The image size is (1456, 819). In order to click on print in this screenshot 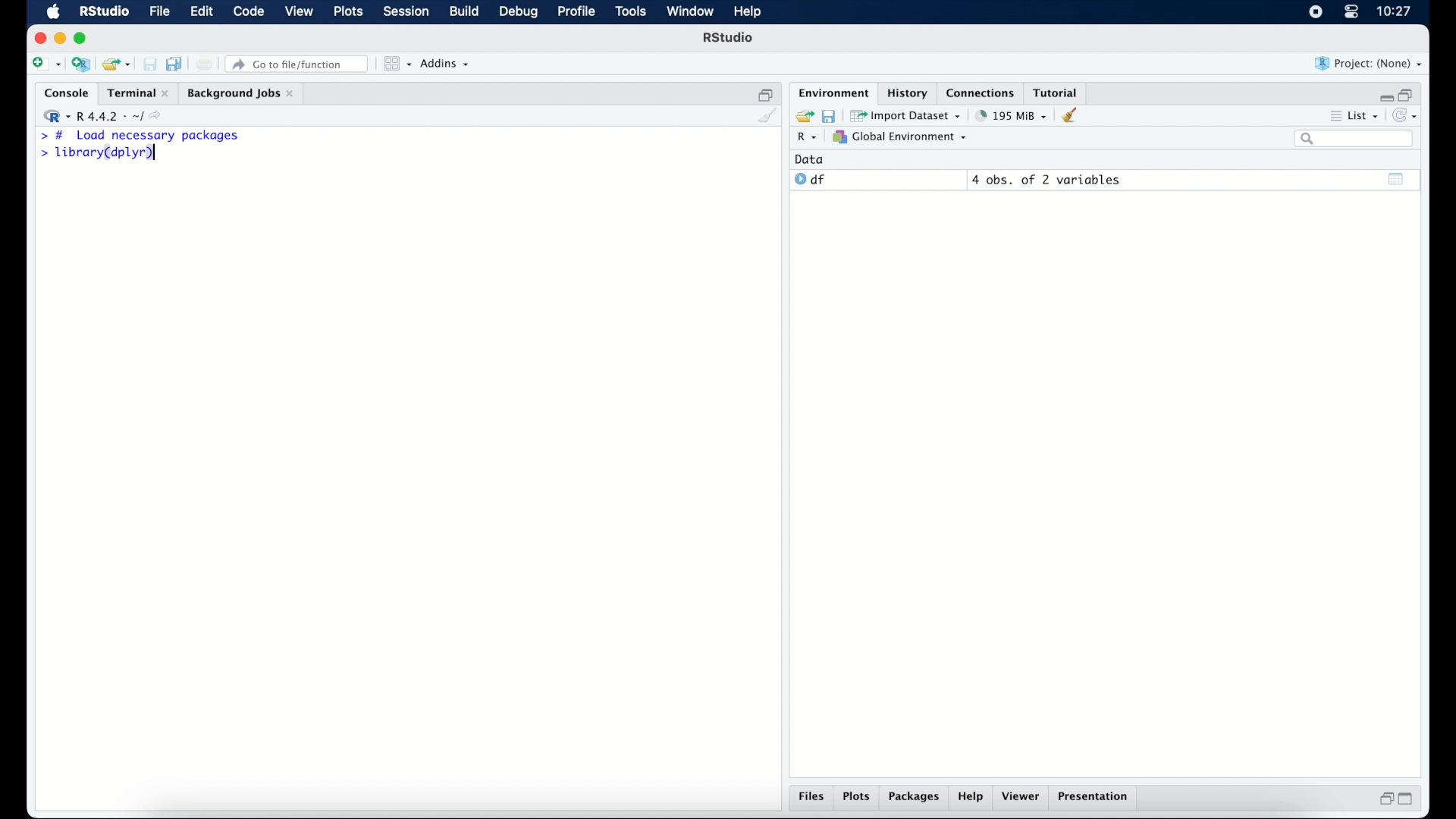, I will do `click(205, 64)`.